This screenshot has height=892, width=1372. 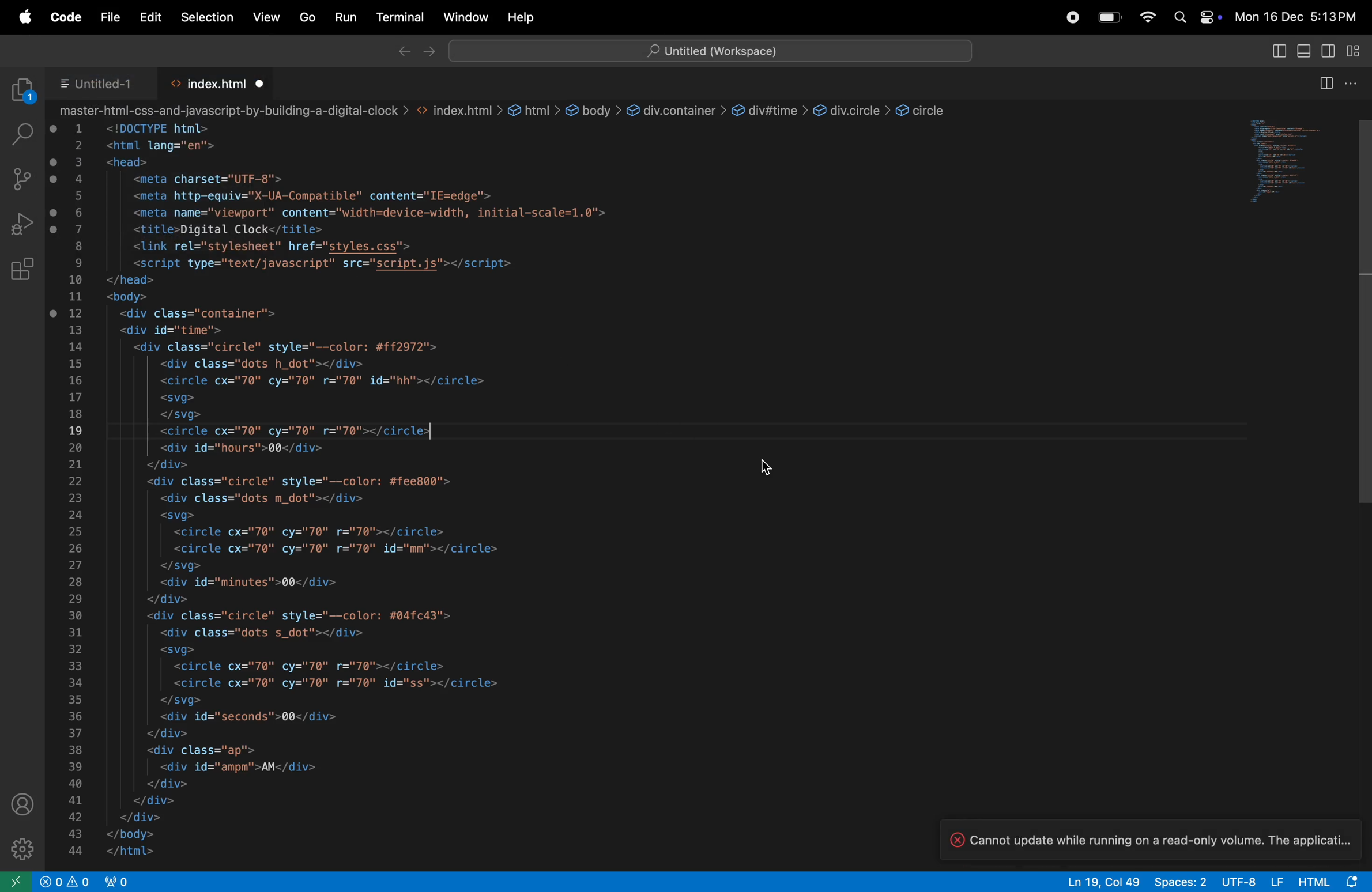 What do you see at coordinates (257, 582) in the screenshot?
I see `<div id="minutes">00</div>` at bounding box center [257, 582].